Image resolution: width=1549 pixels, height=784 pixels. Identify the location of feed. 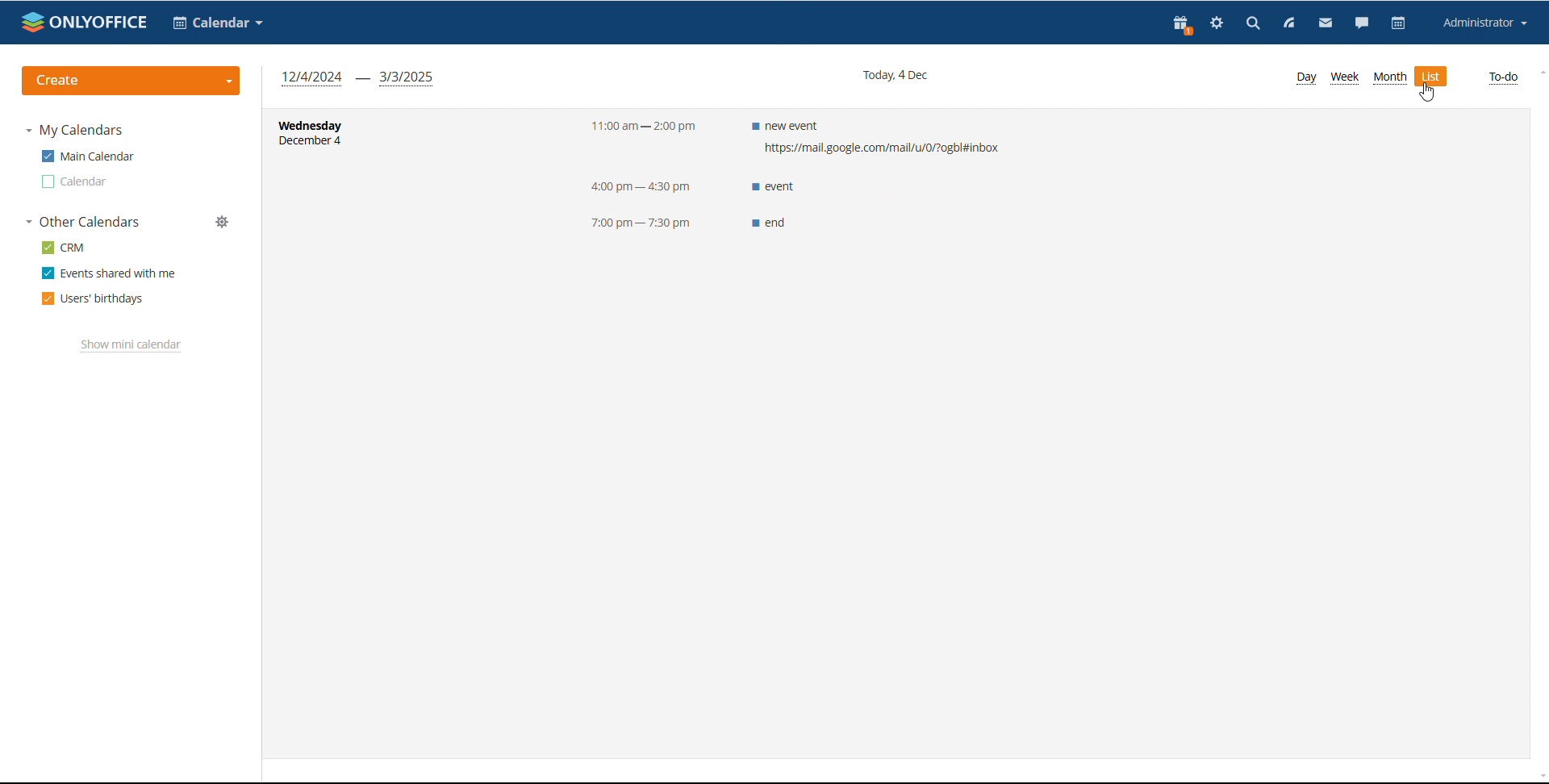
(1286, 23).